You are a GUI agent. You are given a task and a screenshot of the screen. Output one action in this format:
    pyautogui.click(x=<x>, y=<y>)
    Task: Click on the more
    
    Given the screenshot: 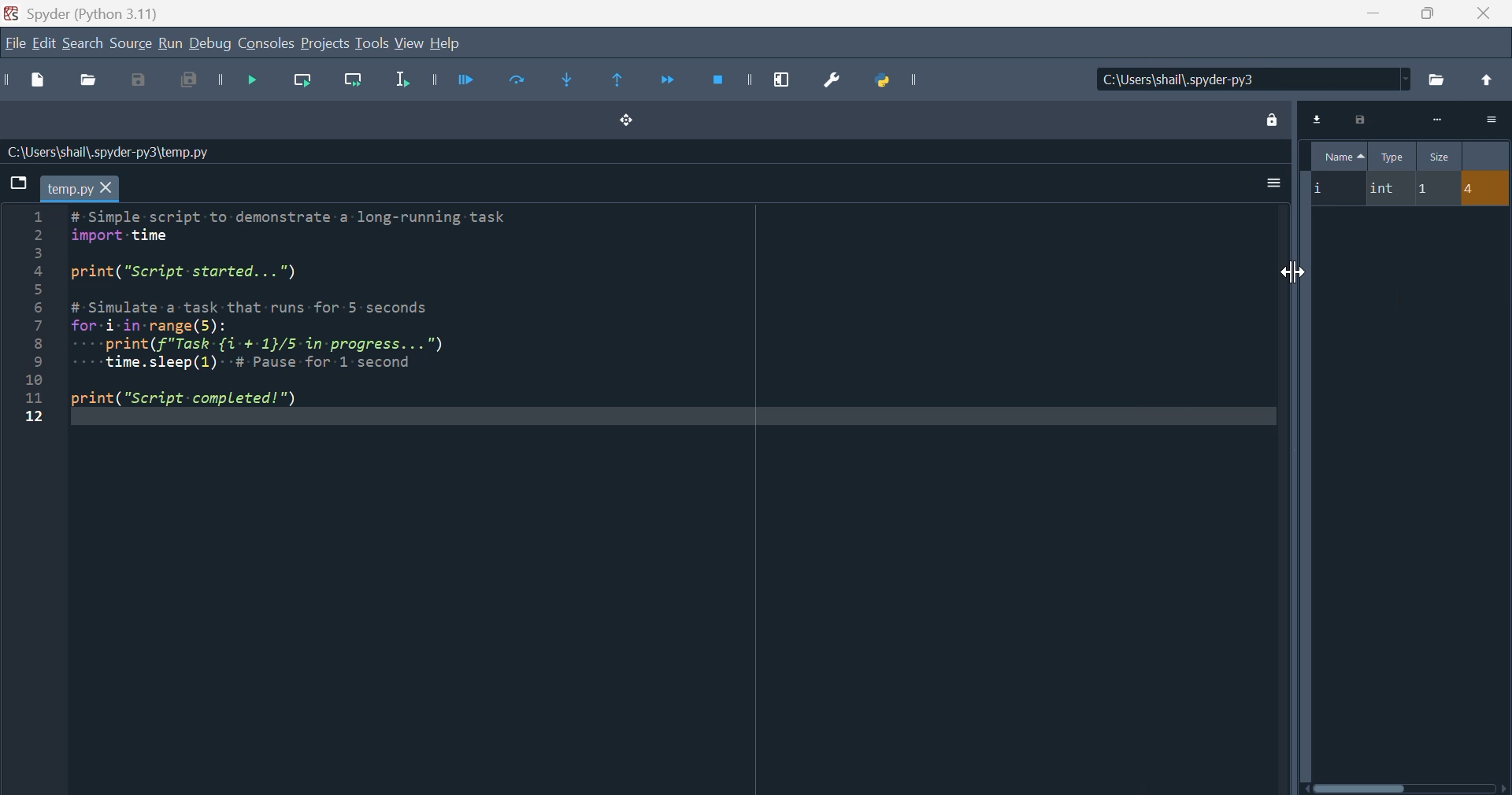 What is the action you would take?
    pyautogui.click(x=1436, y=120)
    